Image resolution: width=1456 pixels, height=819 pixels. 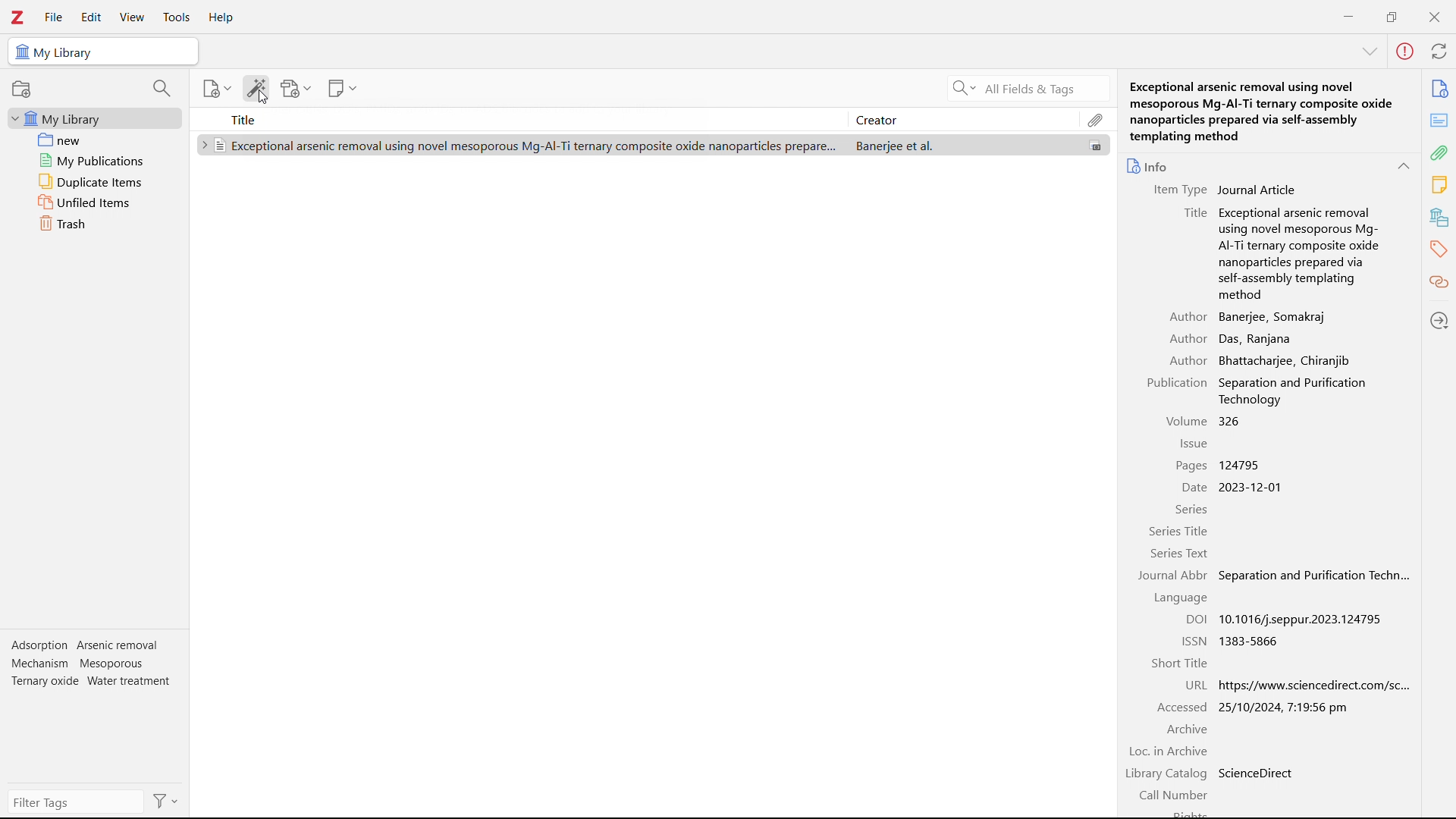 What do you see at coordinates (1259, 773) in the screenshot?
I see `Science direct` at bounding box center [1259, 773].